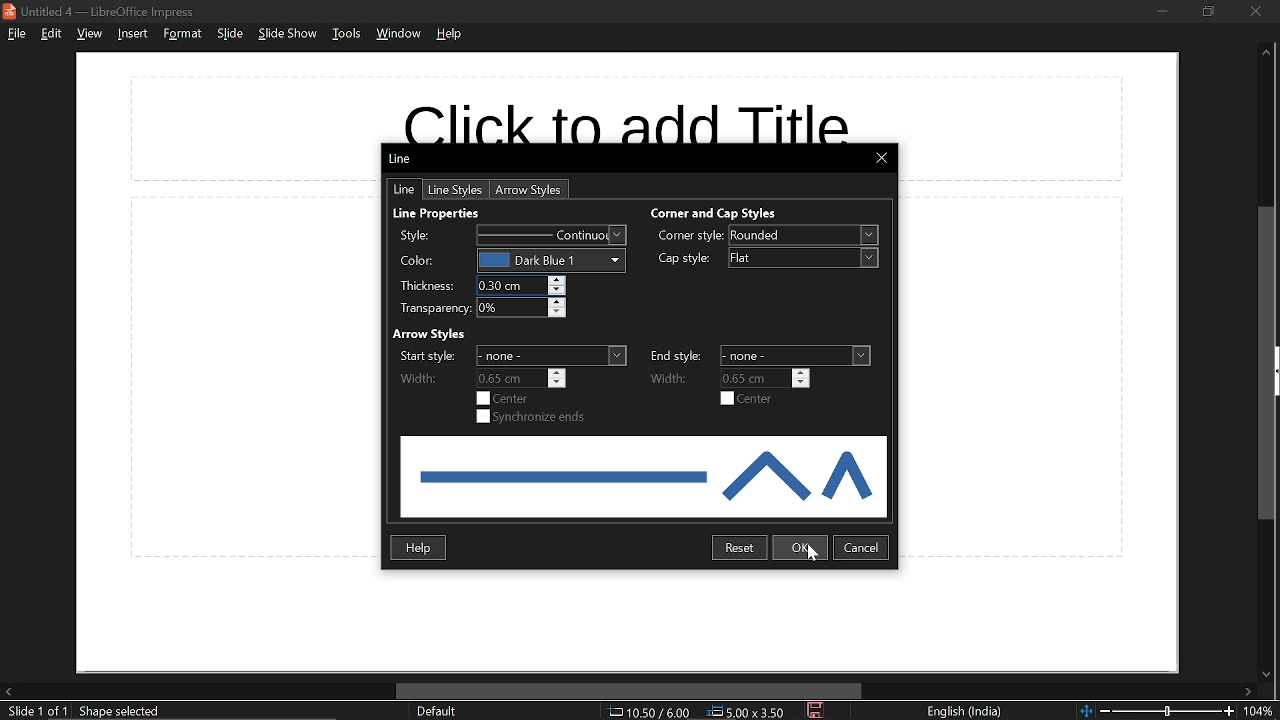 This screenshot has width=1280, height=720. I want to click on restart, so click(738, 546).